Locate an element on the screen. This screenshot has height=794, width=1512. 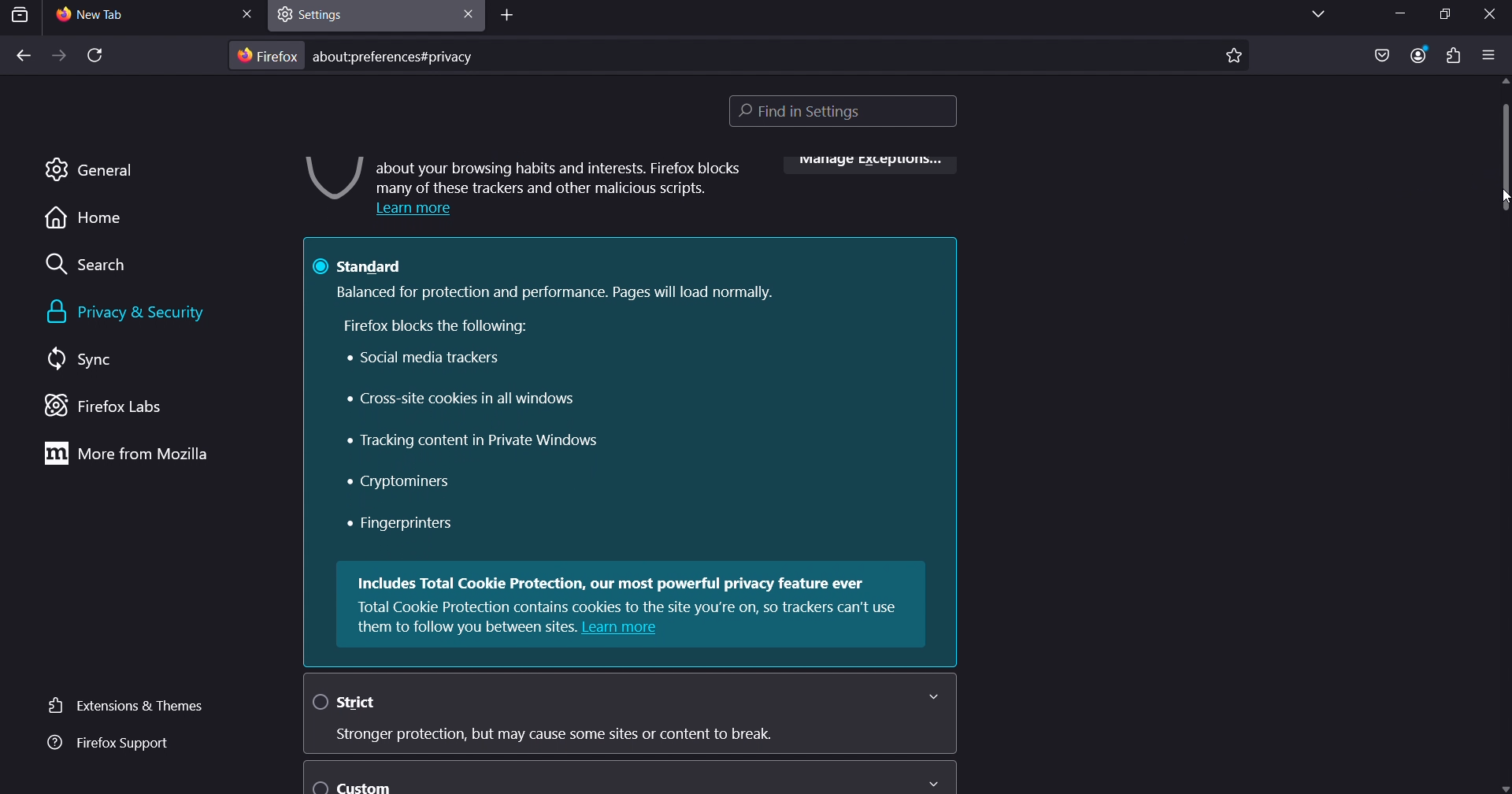
current tab is located at coordinates (110, 16).